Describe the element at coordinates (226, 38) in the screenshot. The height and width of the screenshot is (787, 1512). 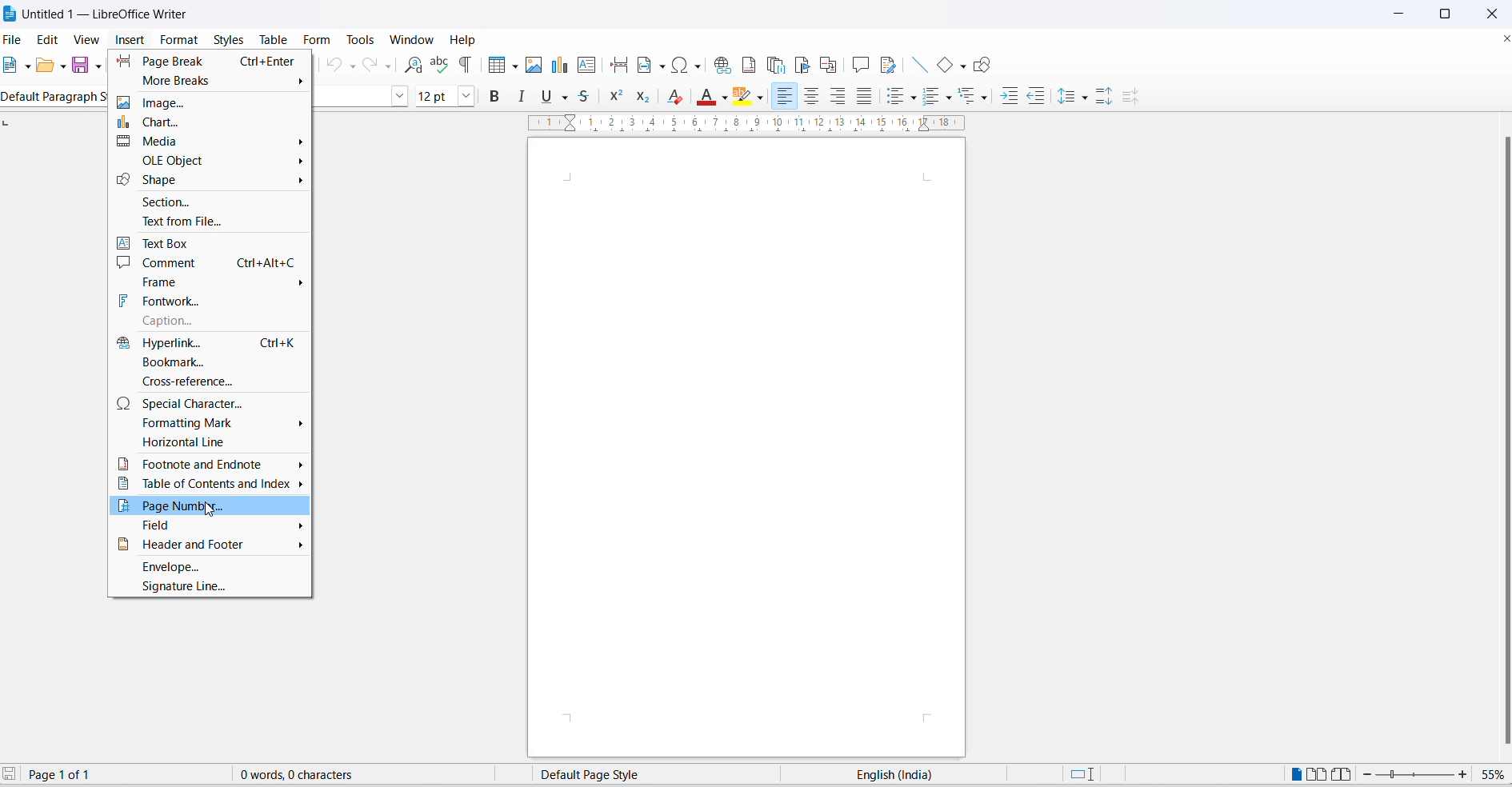
I see `styles` at that location.